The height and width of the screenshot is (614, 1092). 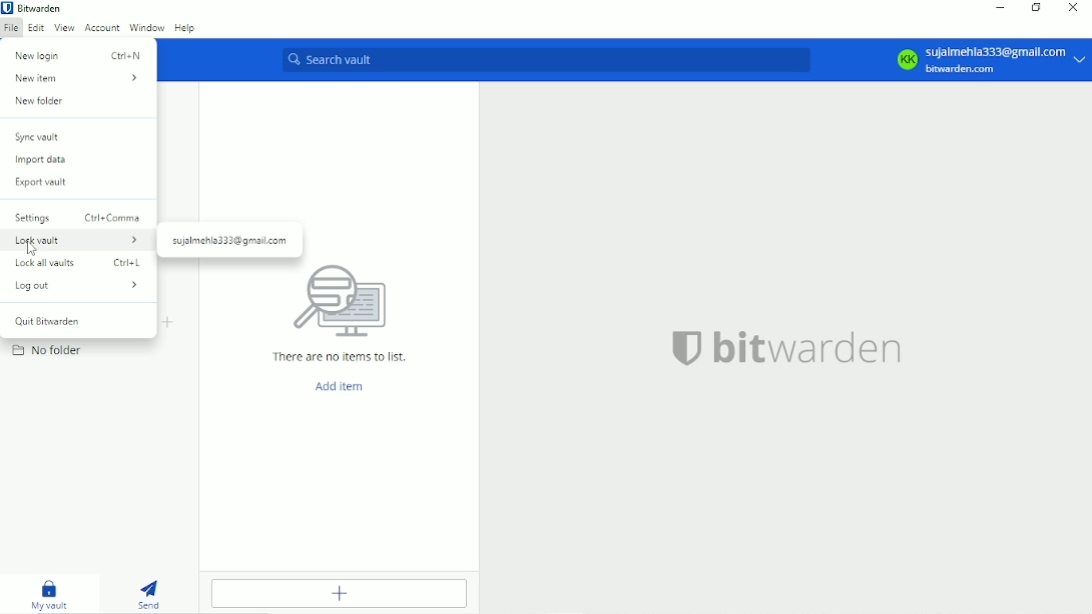 I want to click on sujalmehla333@gmall.com   bitwarden.com, so click(x=993, y=60).